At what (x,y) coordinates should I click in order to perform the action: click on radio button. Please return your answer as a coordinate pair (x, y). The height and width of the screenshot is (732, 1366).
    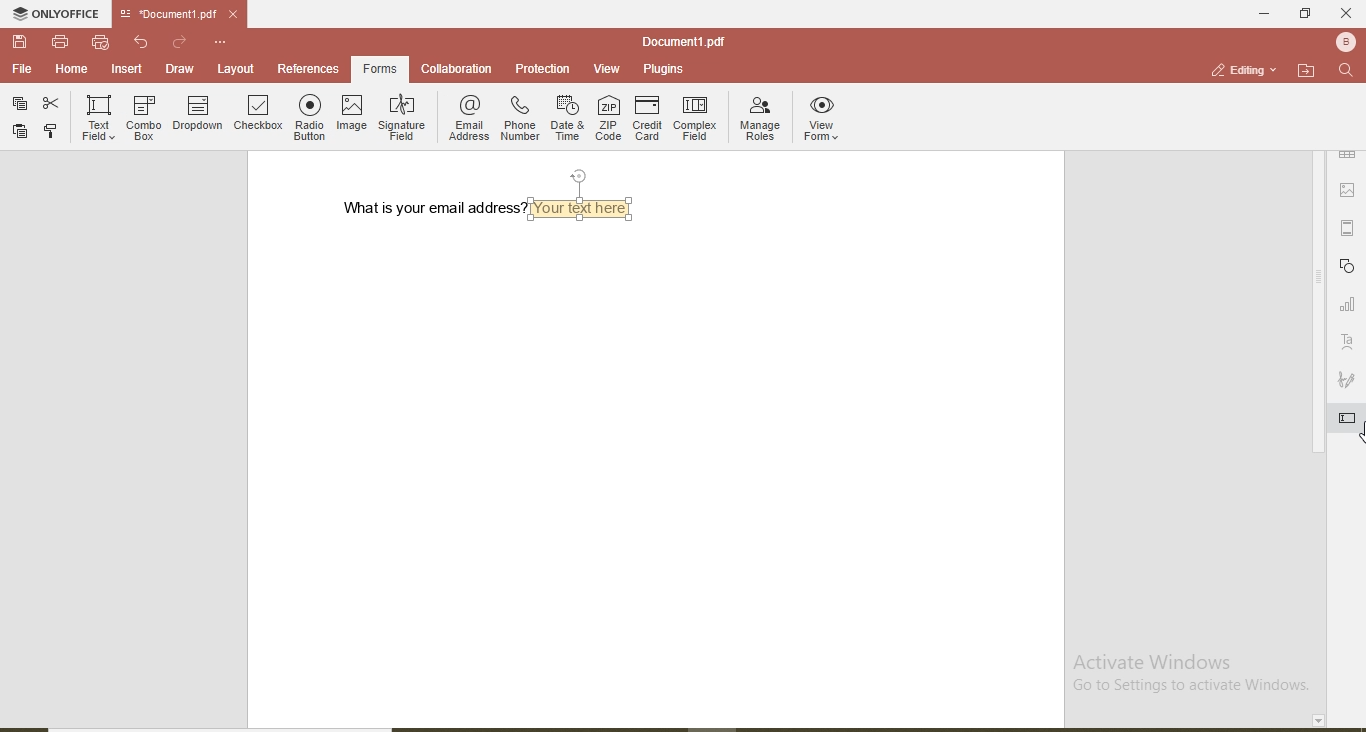
    Looking at the image, I should click on (310, 117).